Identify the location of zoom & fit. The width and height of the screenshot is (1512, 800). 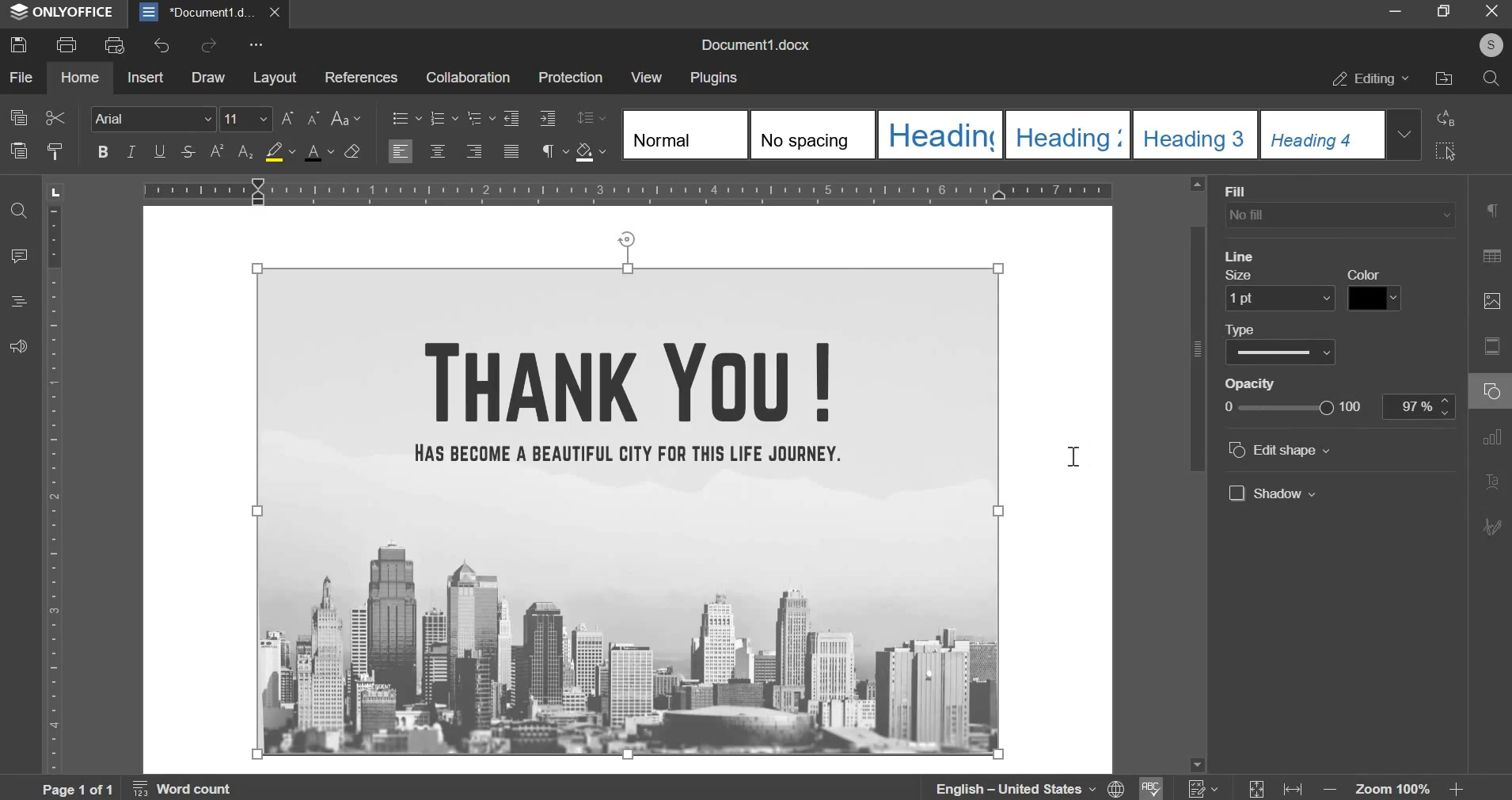
(1354, 786).